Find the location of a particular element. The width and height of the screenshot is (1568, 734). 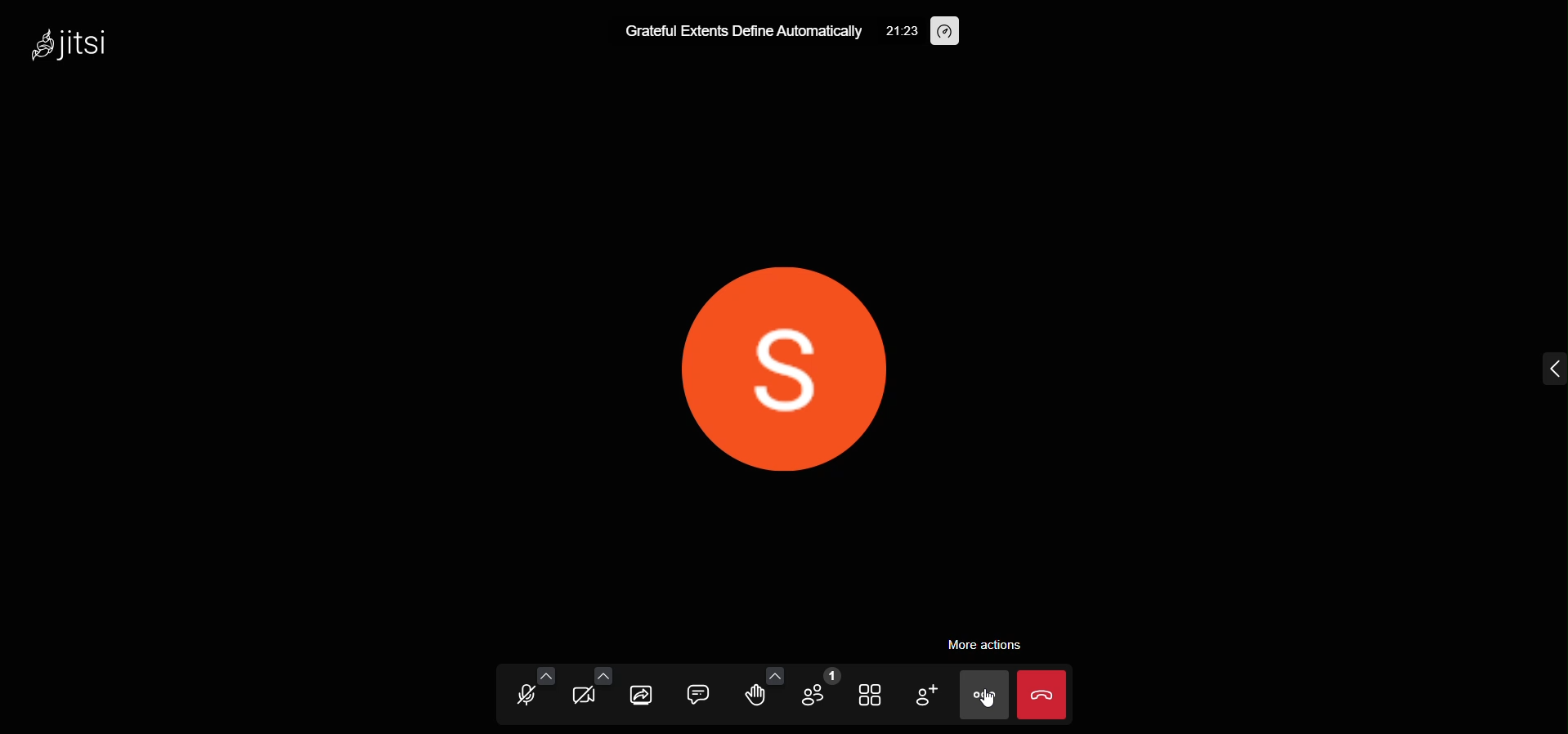

more is located at coordinates (983, 696).